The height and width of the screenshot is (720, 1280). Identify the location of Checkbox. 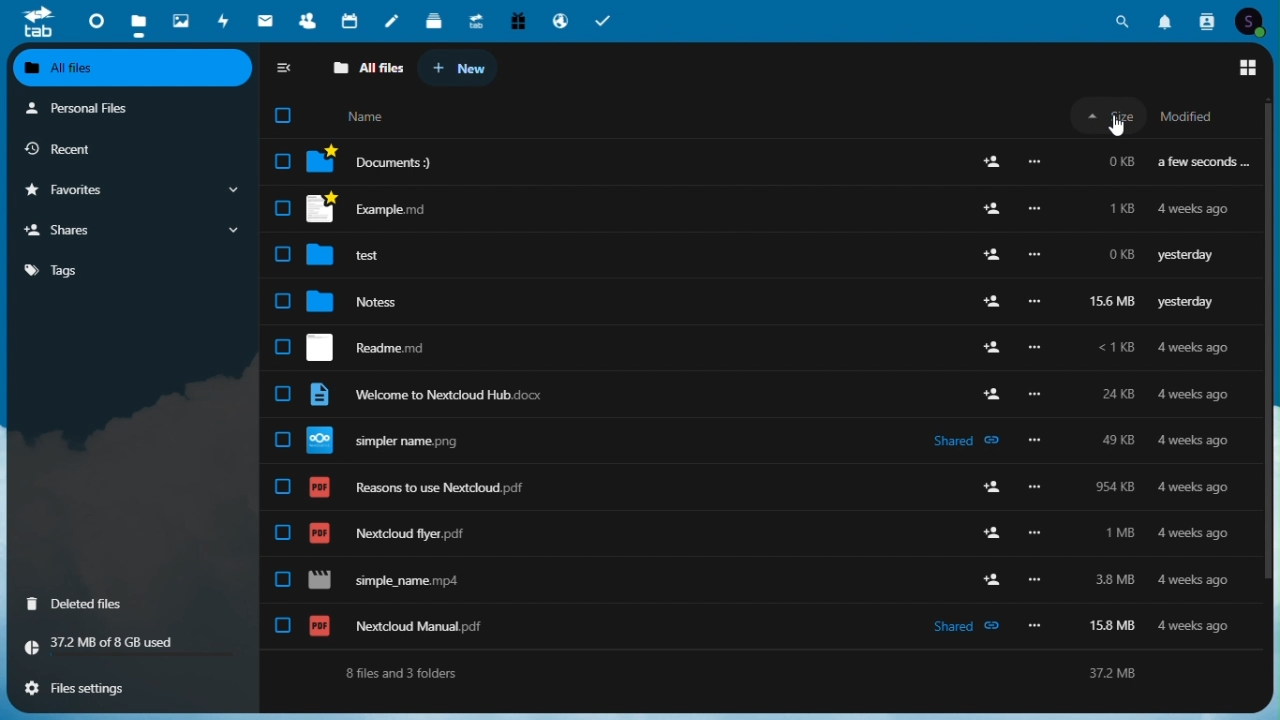
(283, 120).